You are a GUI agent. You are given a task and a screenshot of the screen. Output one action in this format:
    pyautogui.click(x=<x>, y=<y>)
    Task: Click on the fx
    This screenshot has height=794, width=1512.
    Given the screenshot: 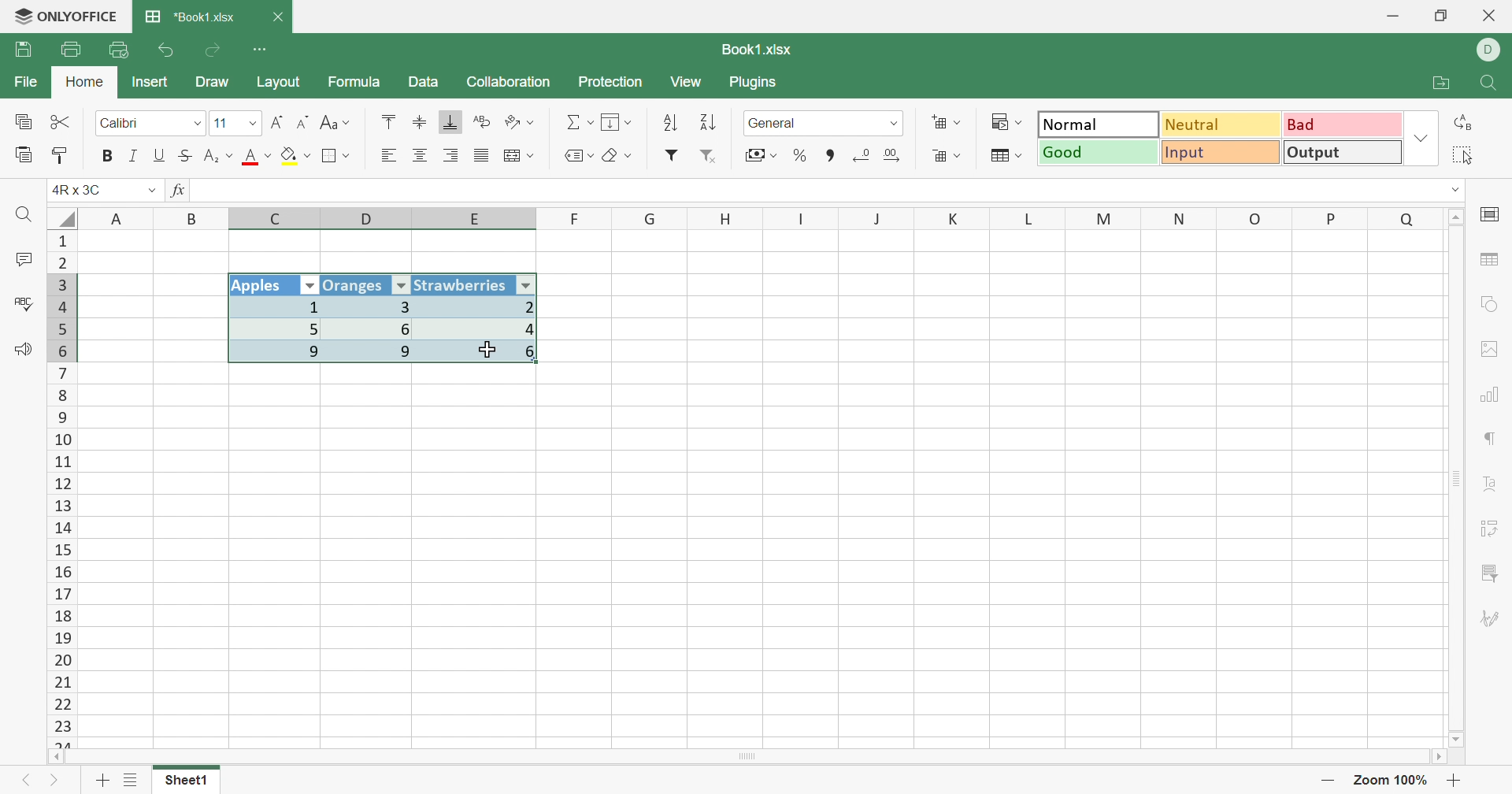 What is the action you would take?
    pyautogui.click(x=179, y=191)
    